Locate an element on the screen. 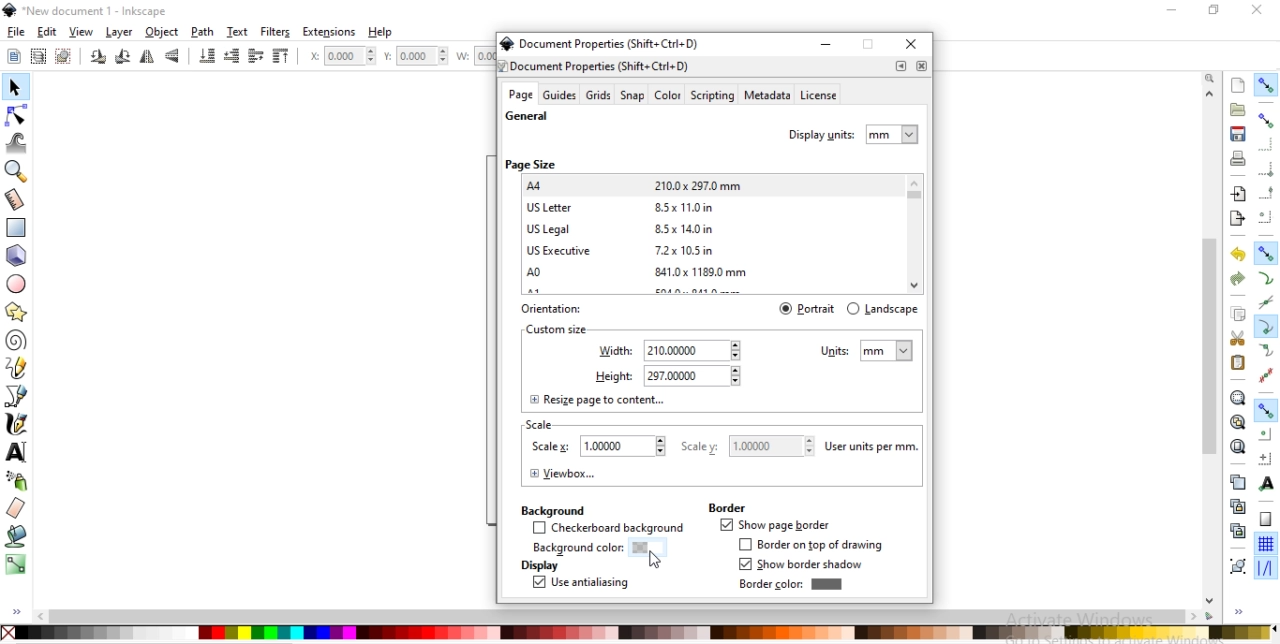  display is located at coordinates (538, 566).